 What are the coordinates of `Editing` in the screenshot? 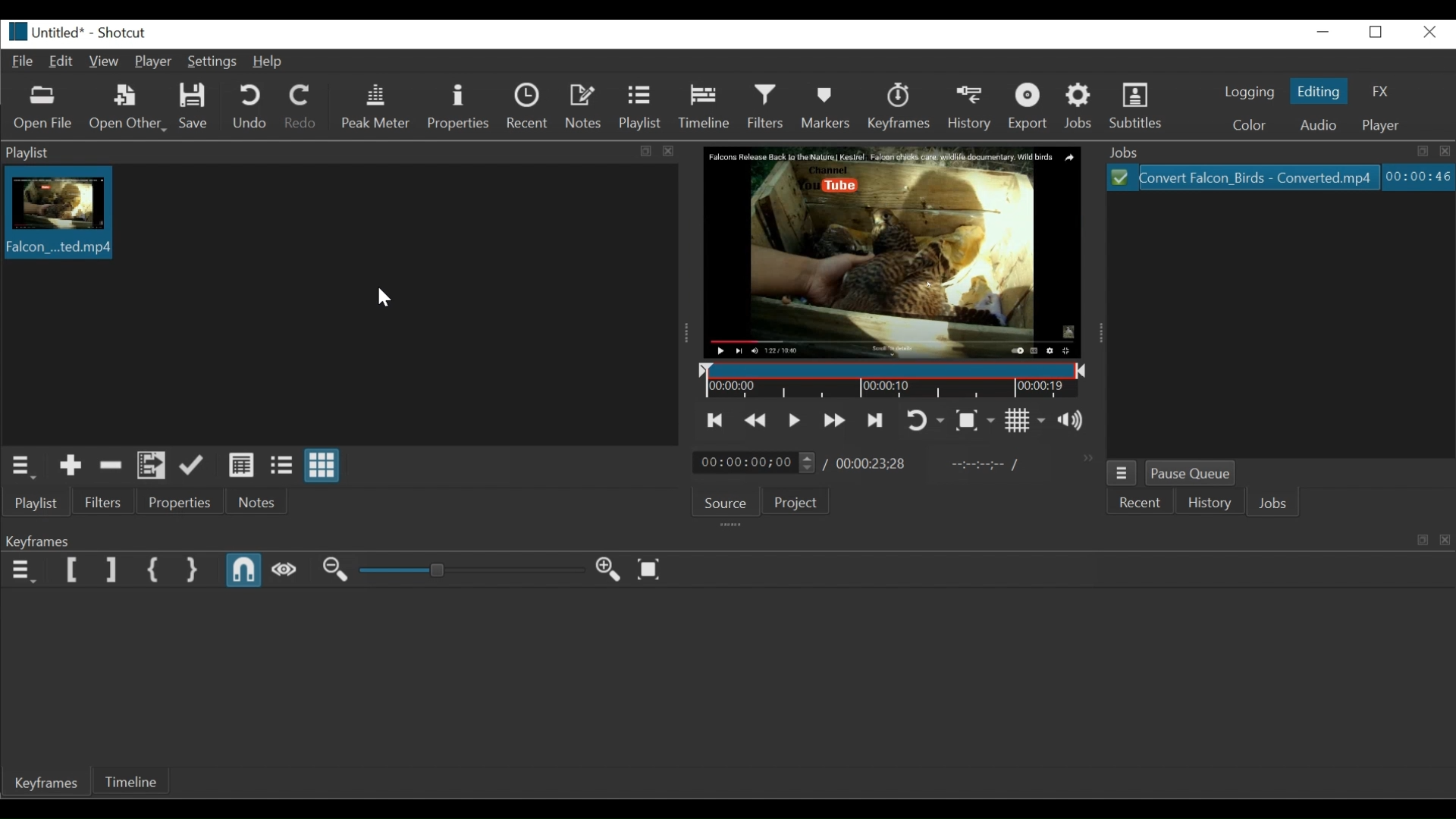 It's located at (1319, 89).